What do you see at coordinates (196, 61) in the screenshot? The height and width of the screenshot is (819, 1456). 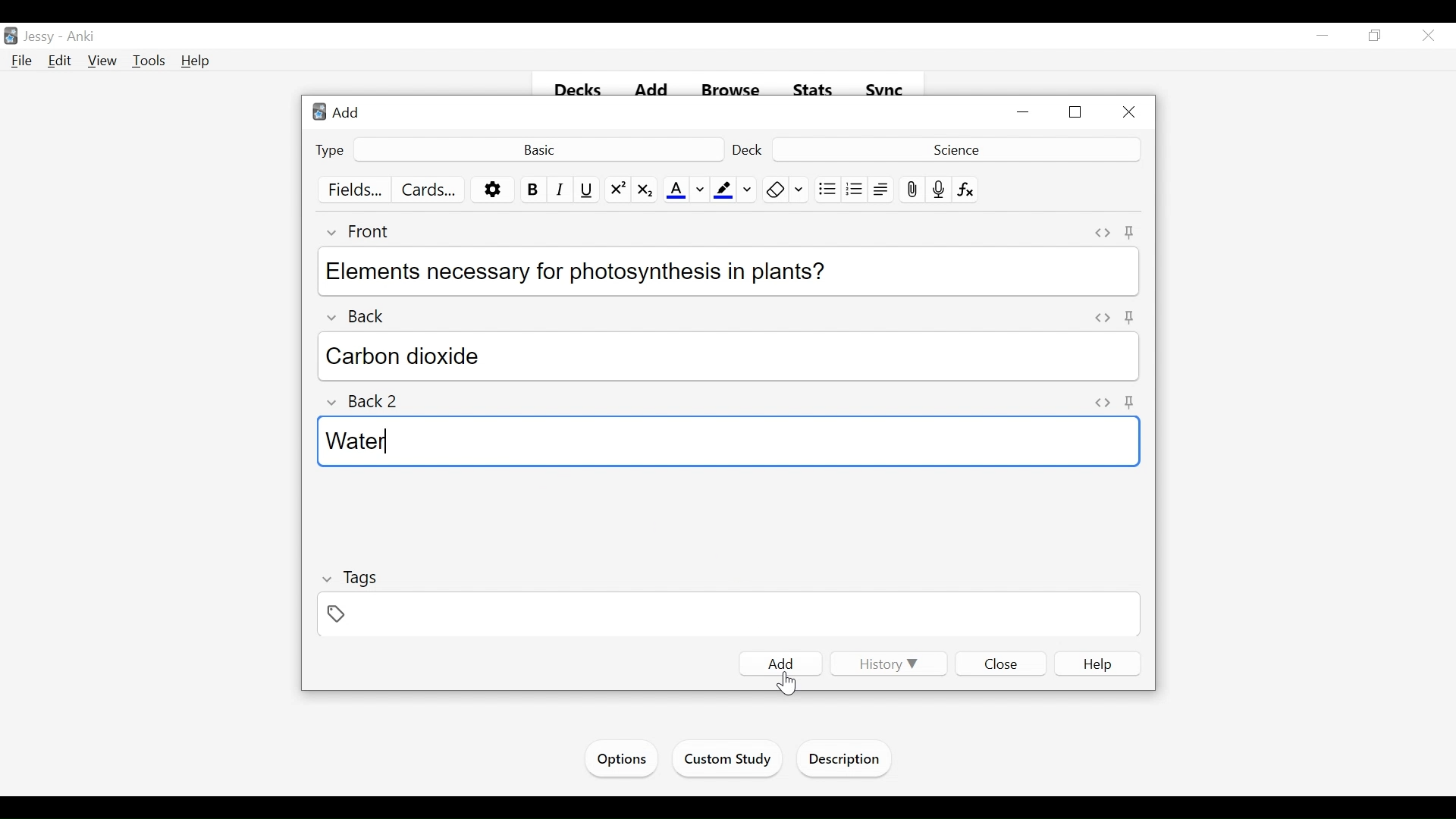 I see `Help` at bounding box center [196, 61].